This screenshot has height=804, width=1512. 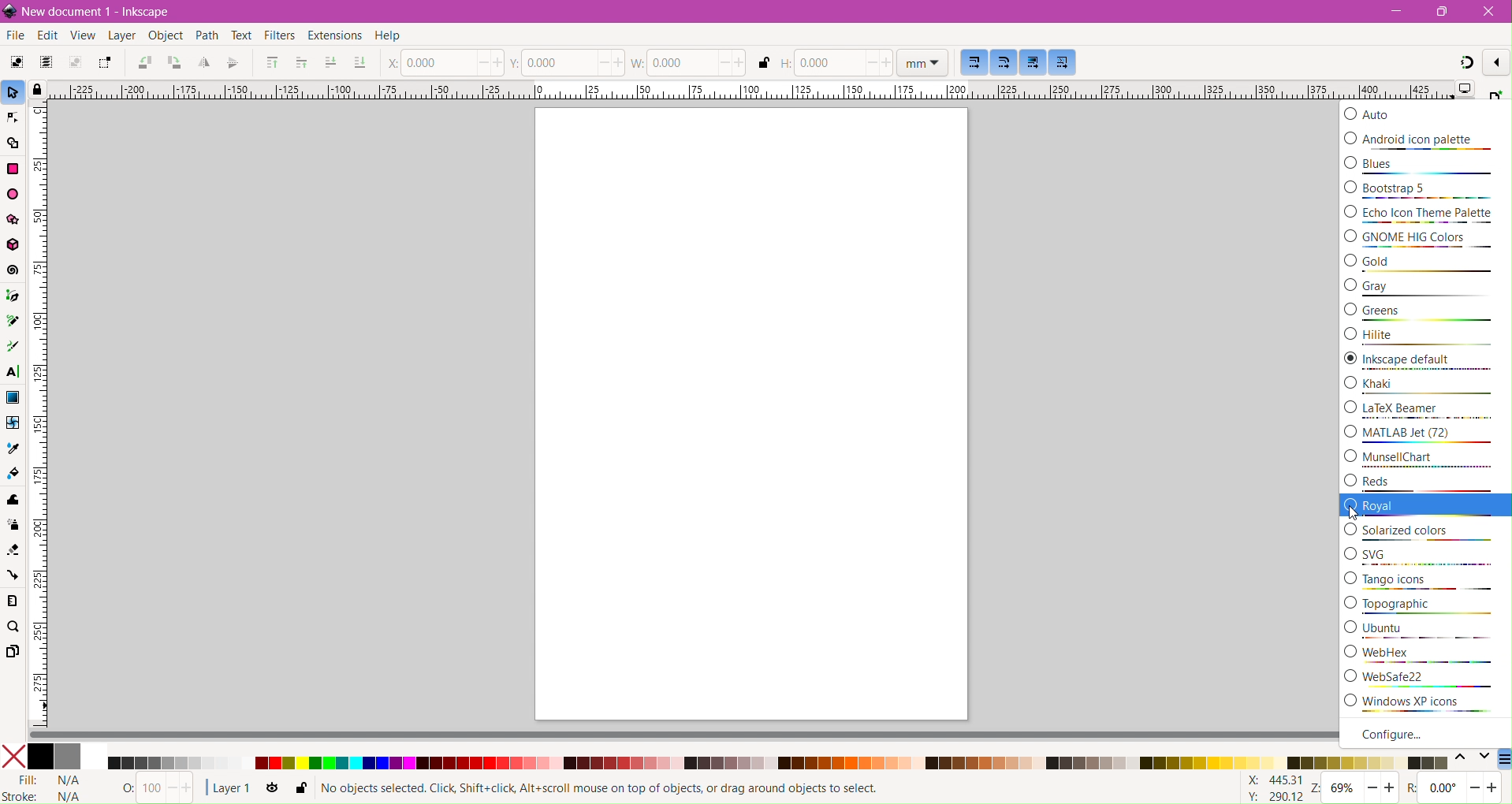 What do you see at coordinates (151, 789) in the screenshot?
I see `Nothing Selected` at bounding box center [151, 789].